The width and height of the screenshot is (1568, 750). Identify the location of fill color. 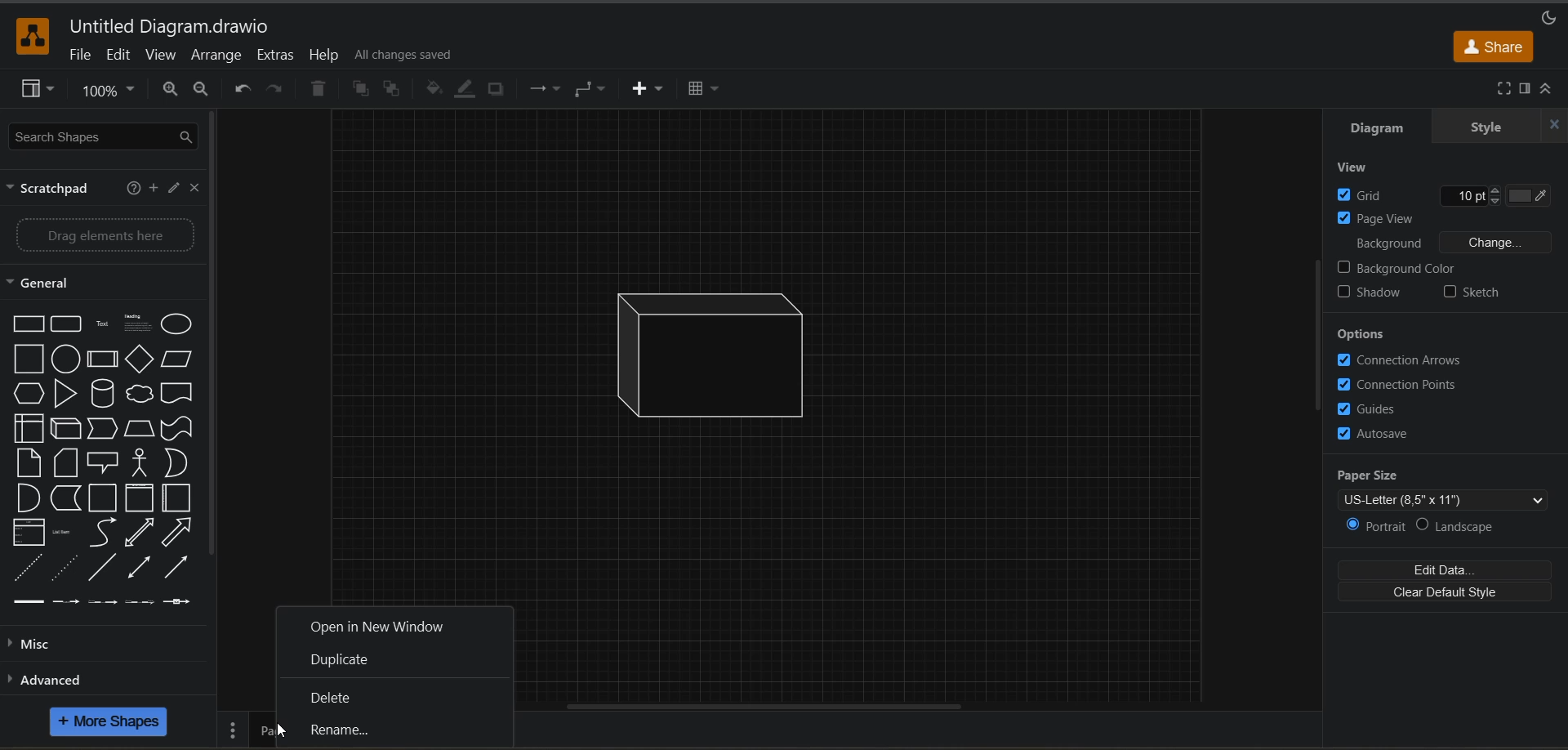
(436, 89).